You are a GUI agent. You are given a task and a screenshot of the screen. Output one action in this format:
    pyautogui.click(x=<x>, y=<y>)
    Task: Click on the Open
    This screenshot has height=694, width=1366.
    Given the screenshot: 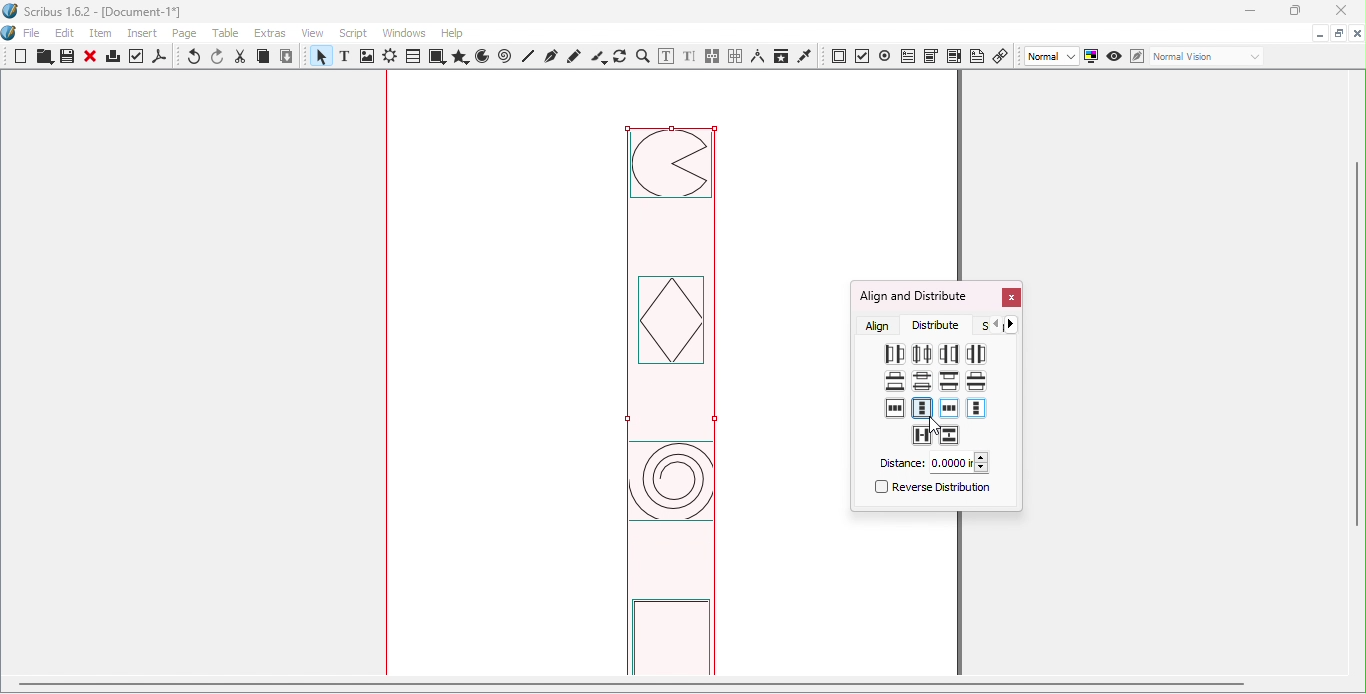 What is the action you would take?
    pyautogui.click(x=42, y=58)
    